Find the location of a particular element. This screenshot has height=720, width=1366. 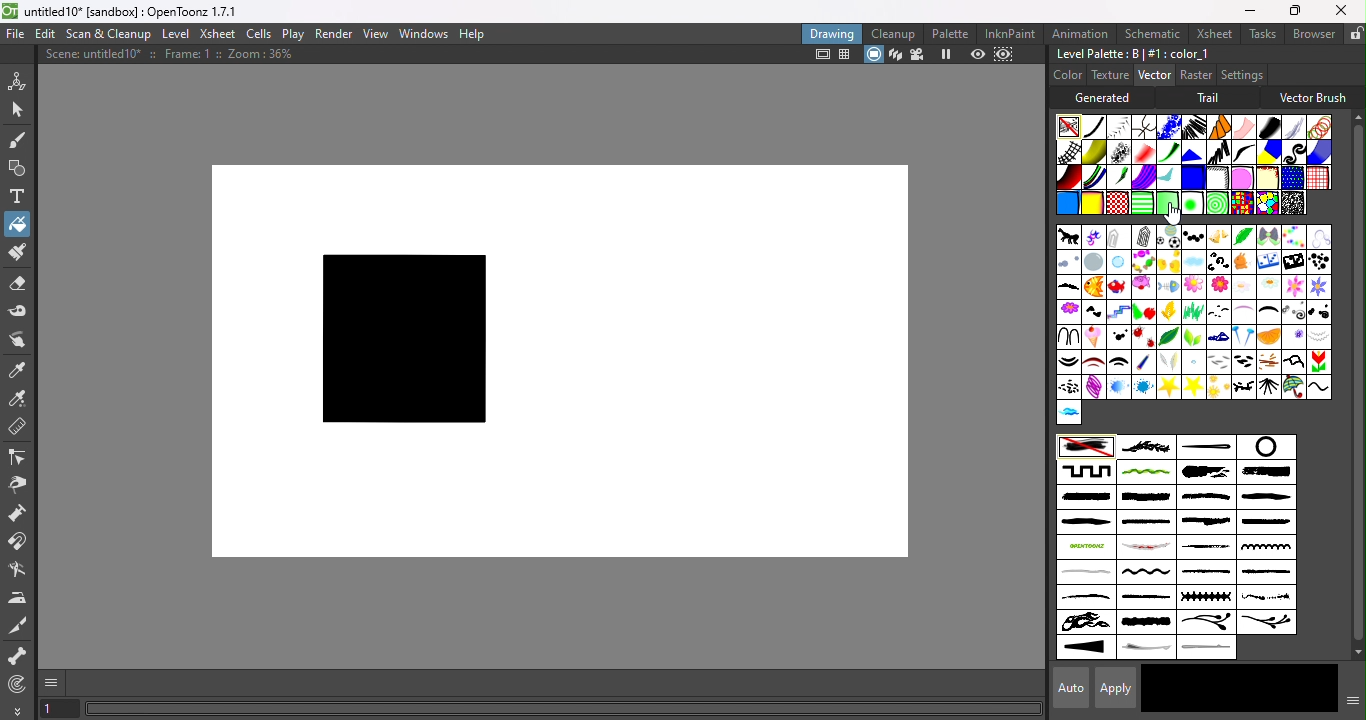

Camera stand view is located at coordinates (873, 55).